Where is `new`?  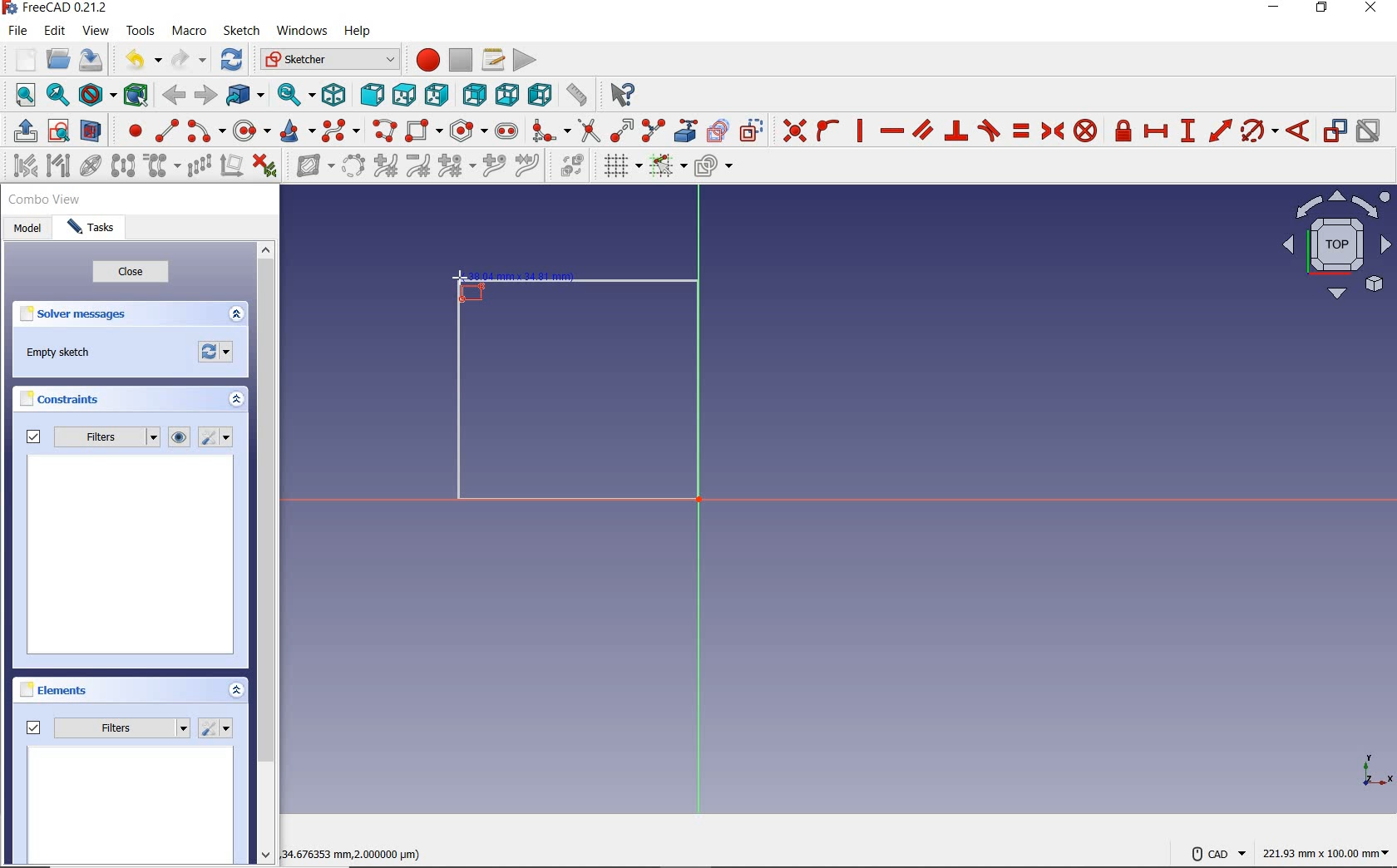 new is located at coordinates (19, 59).